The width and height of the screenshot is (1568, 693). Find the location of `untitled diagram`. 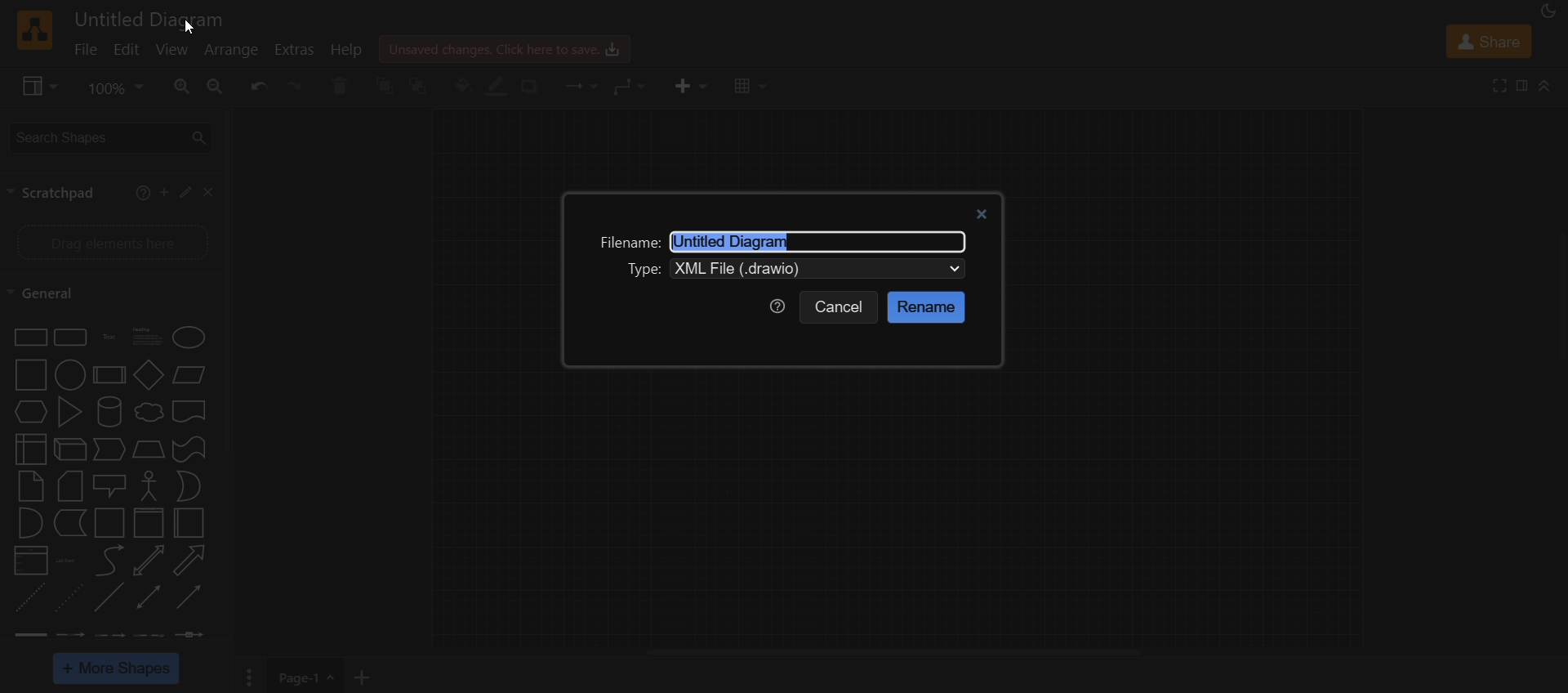

untitled diagram is located at coordinates (745, 242).